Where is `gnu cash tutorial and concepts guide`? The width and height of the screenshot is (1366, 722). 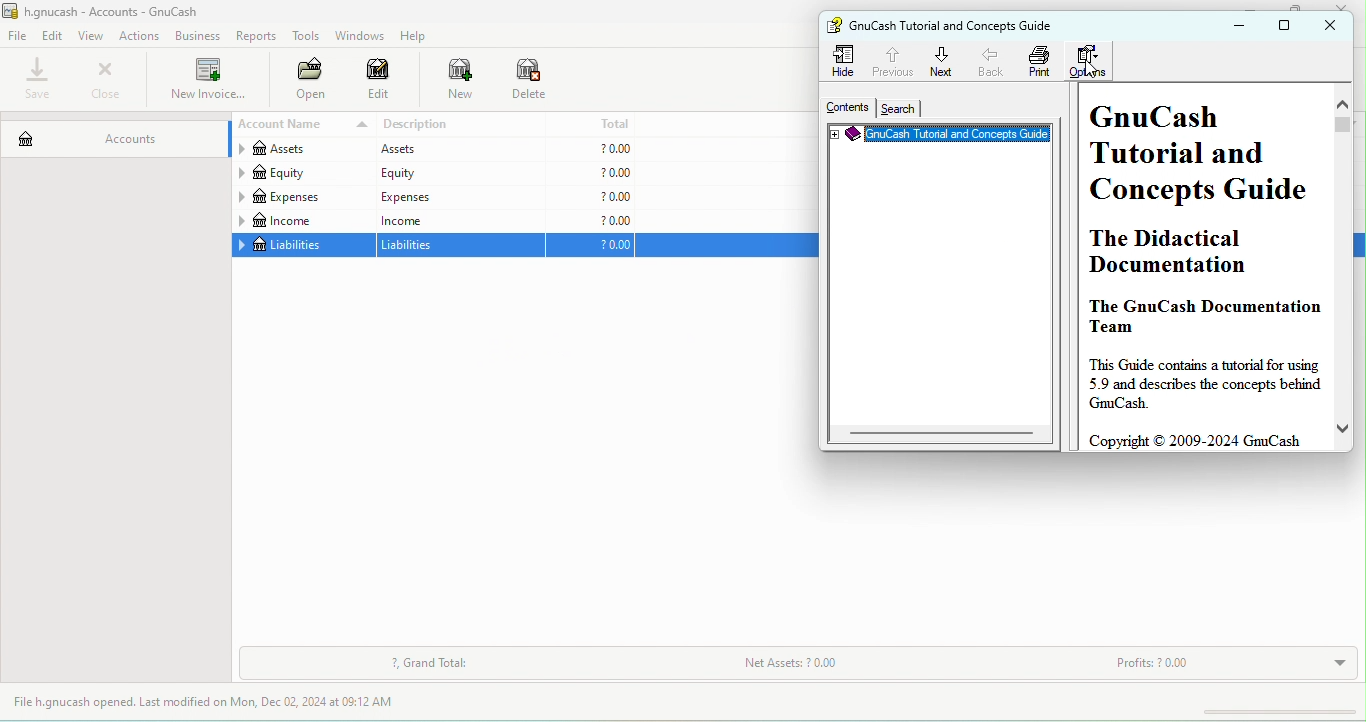
gnu cash tutorial and concepts guide is located at coordinates (959, 25).